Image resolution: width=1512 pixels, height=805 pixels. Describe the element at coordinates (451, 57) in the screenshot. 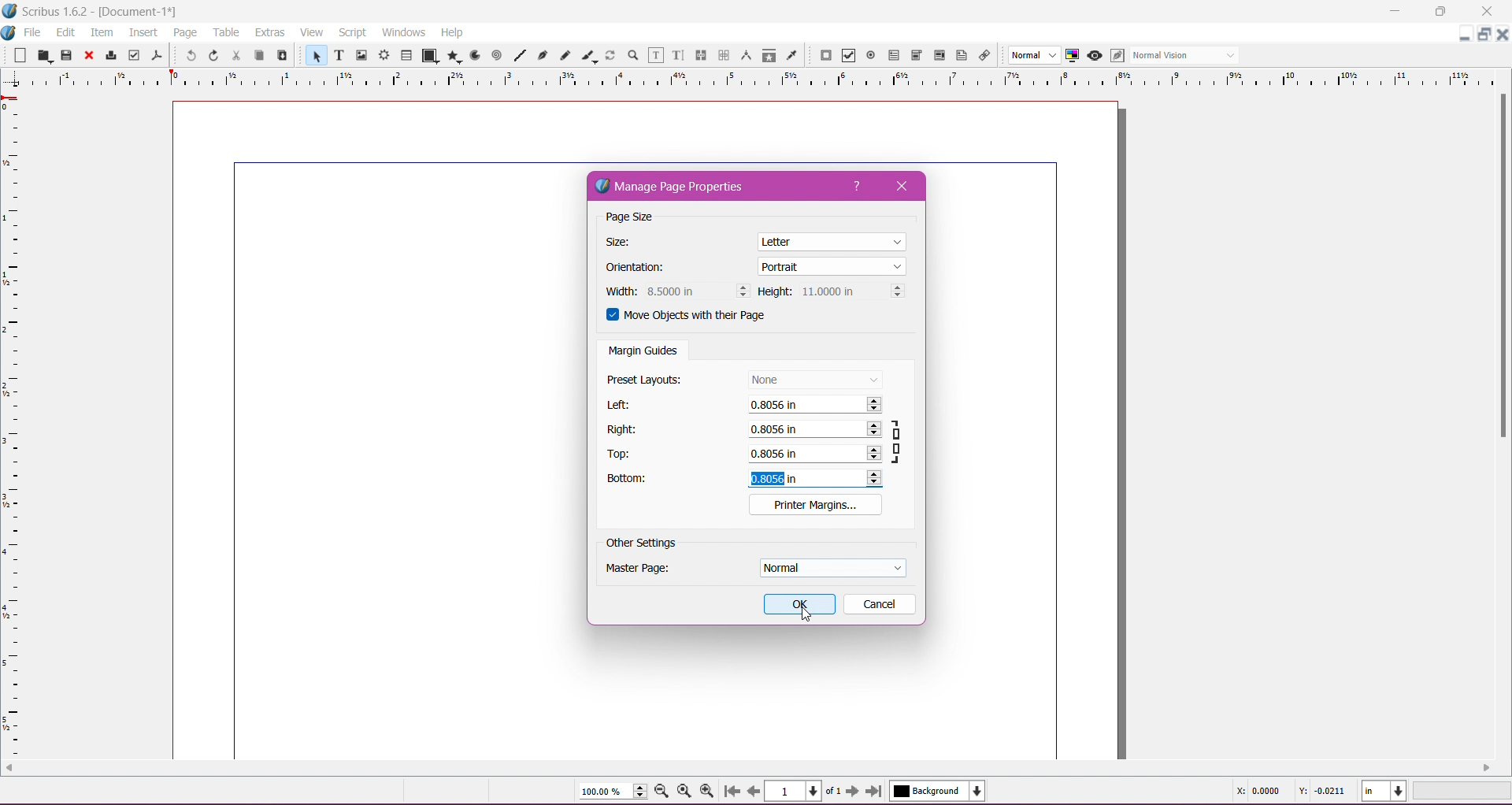

I see `Polygon` at that location.